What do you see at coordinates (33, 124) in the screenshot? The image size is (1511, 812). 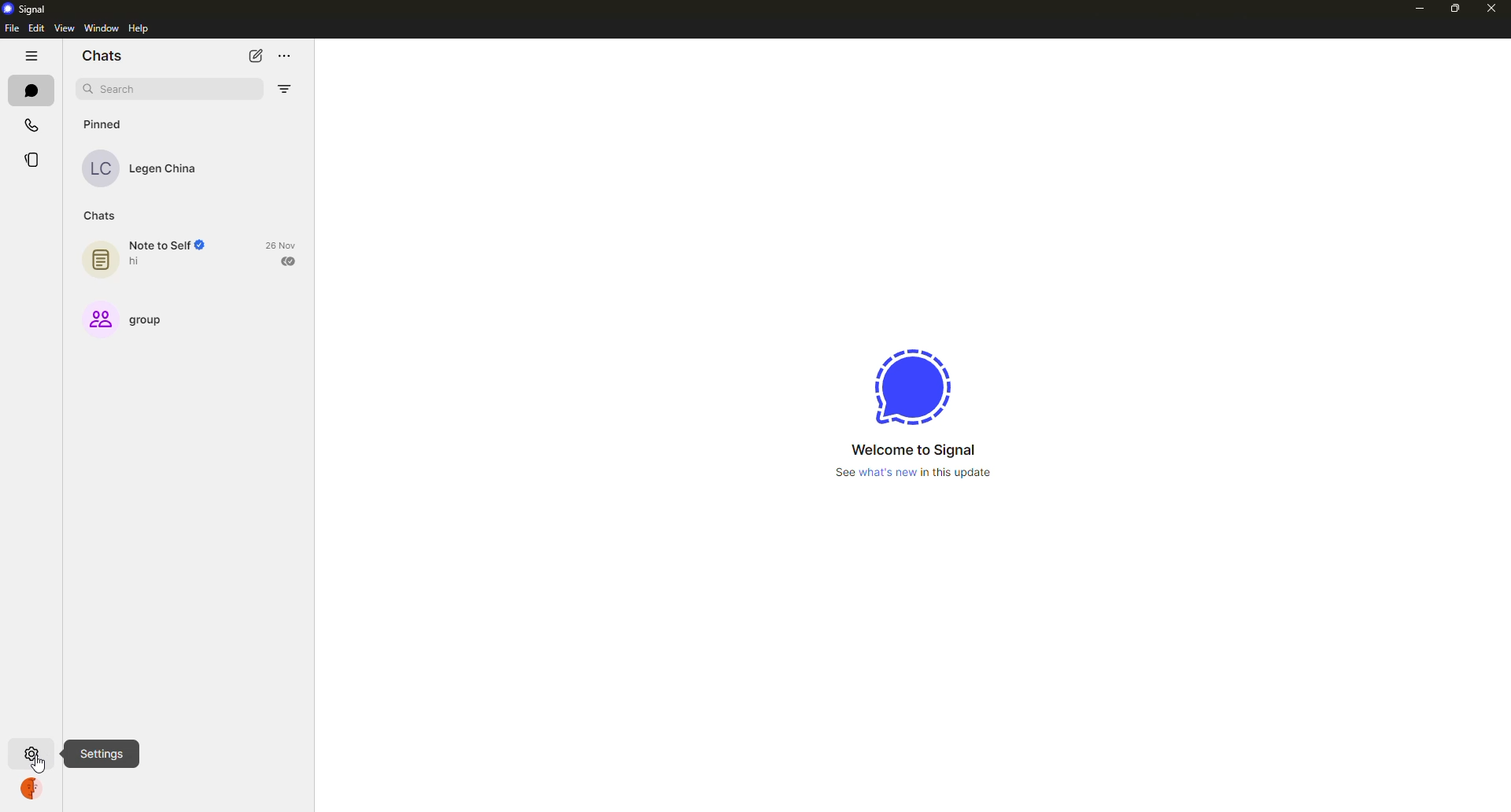 I see `calls` at bounding box center [33, 124].